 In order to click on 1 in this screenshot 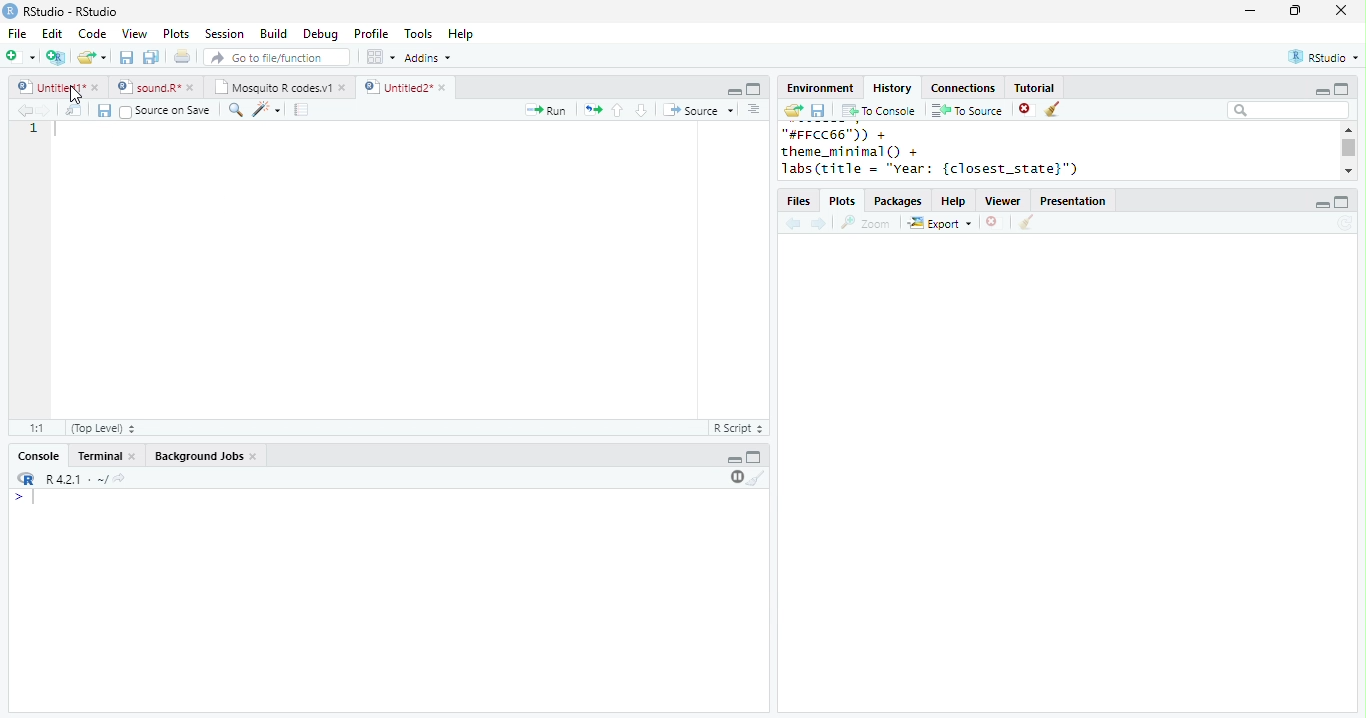, I will do `click(33, 128)`.